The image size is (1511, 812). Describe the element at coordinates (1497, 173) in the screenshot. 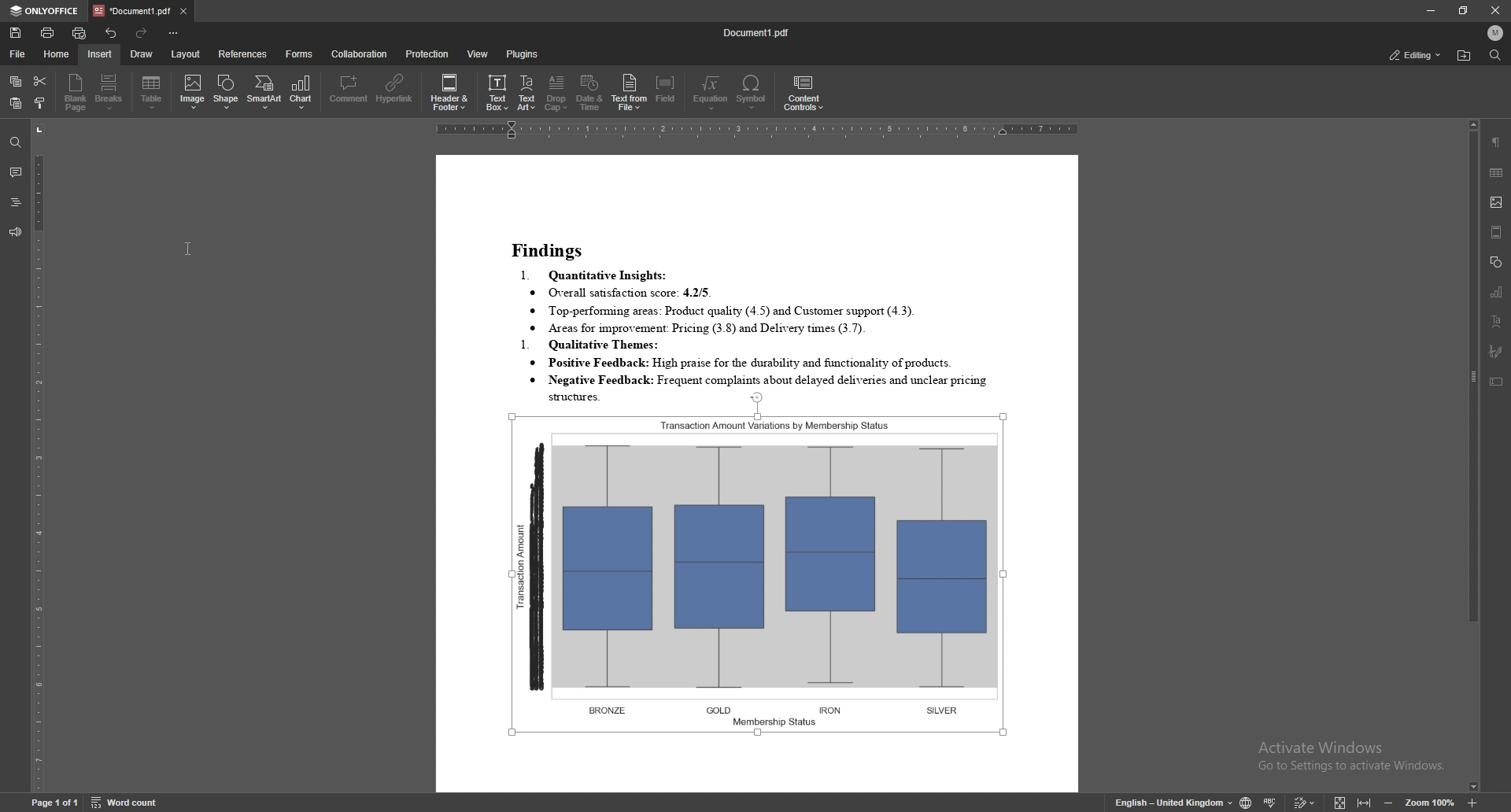

I see `table` at that location.